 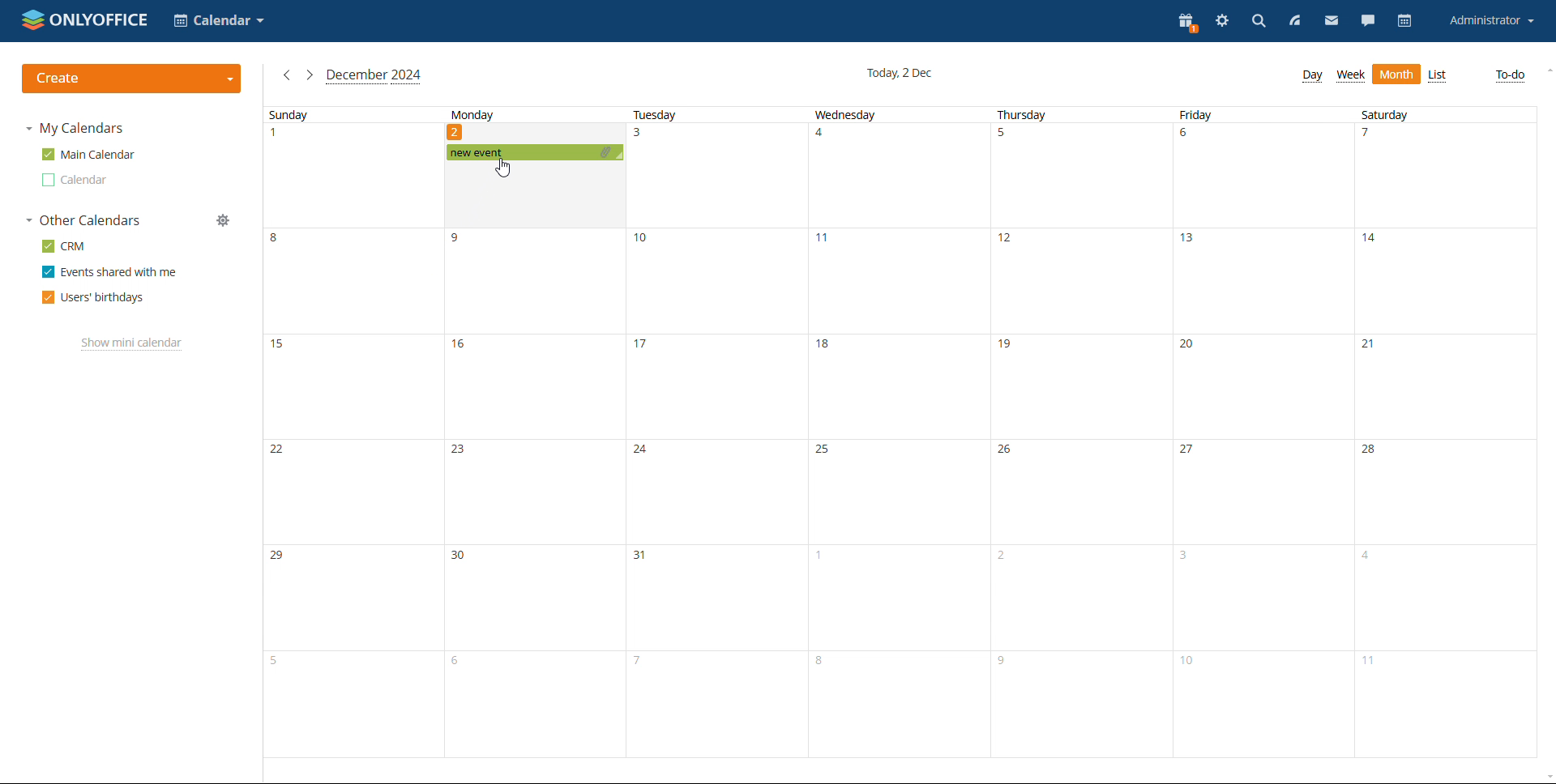 I want to click on 12, so click(x=1007, y=245).